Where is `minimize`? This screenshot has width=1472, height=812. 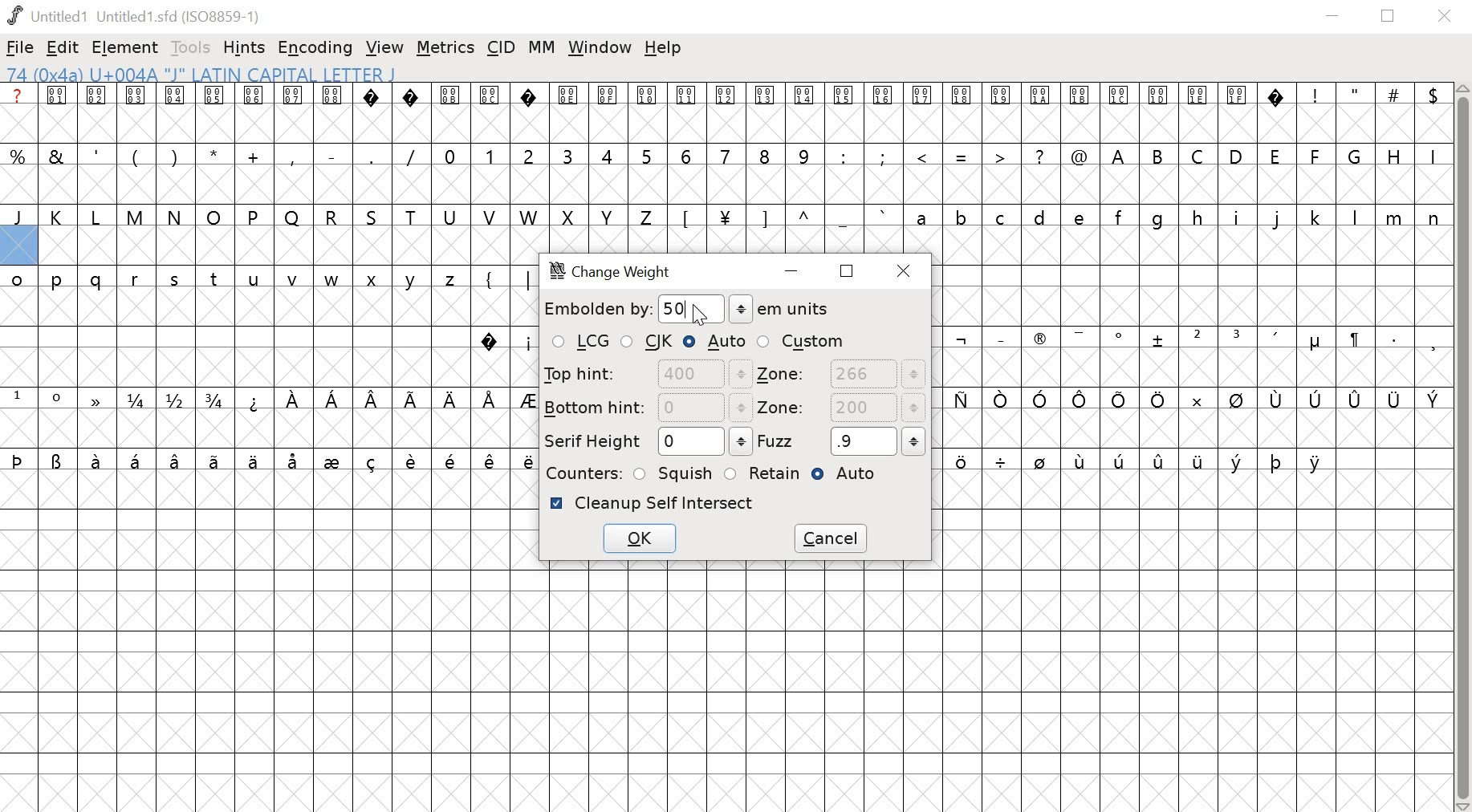 minimize is located at coordinates (1332, 17).